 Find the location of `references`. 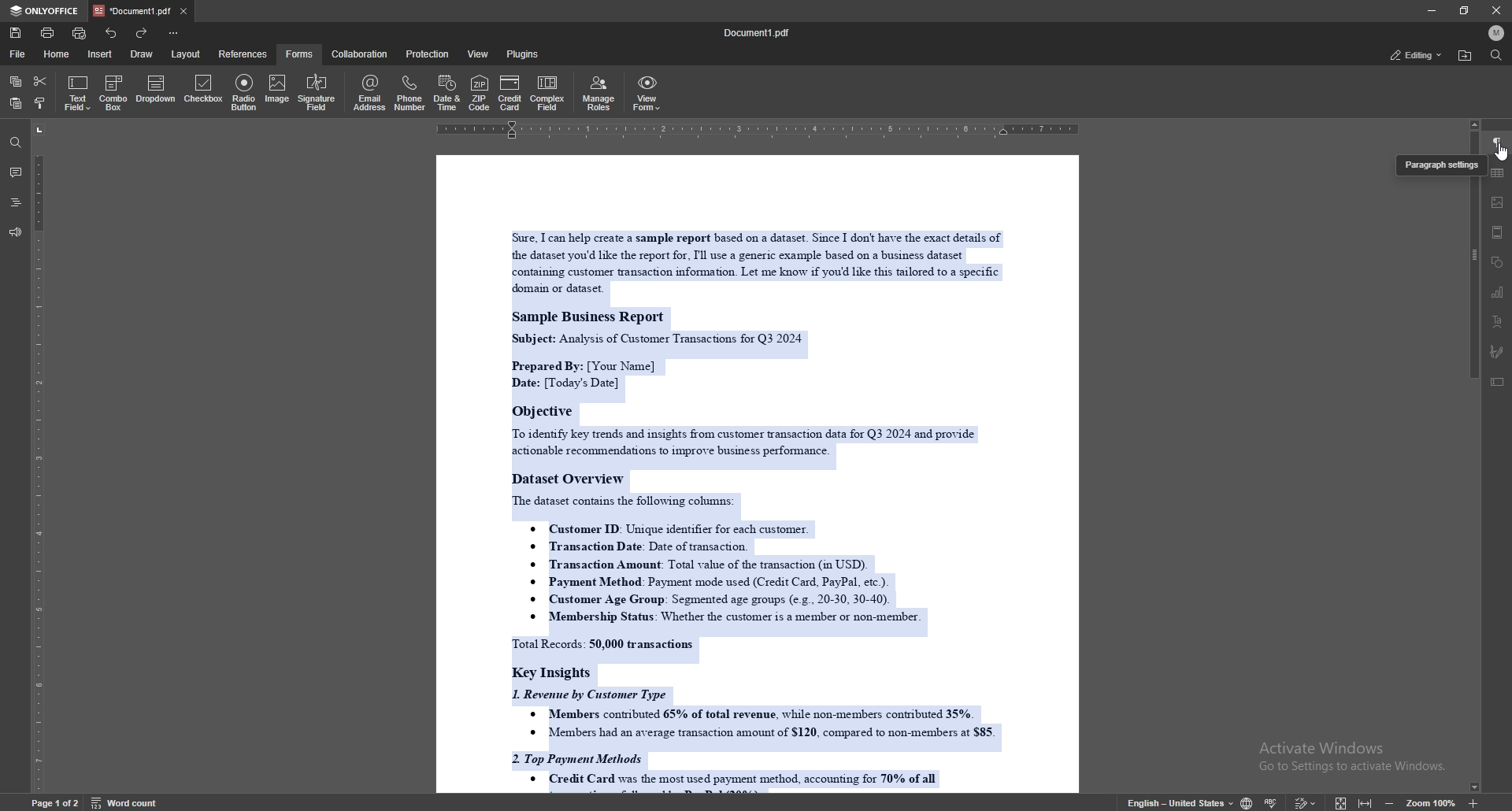

references is located at coordinates (244, 54).